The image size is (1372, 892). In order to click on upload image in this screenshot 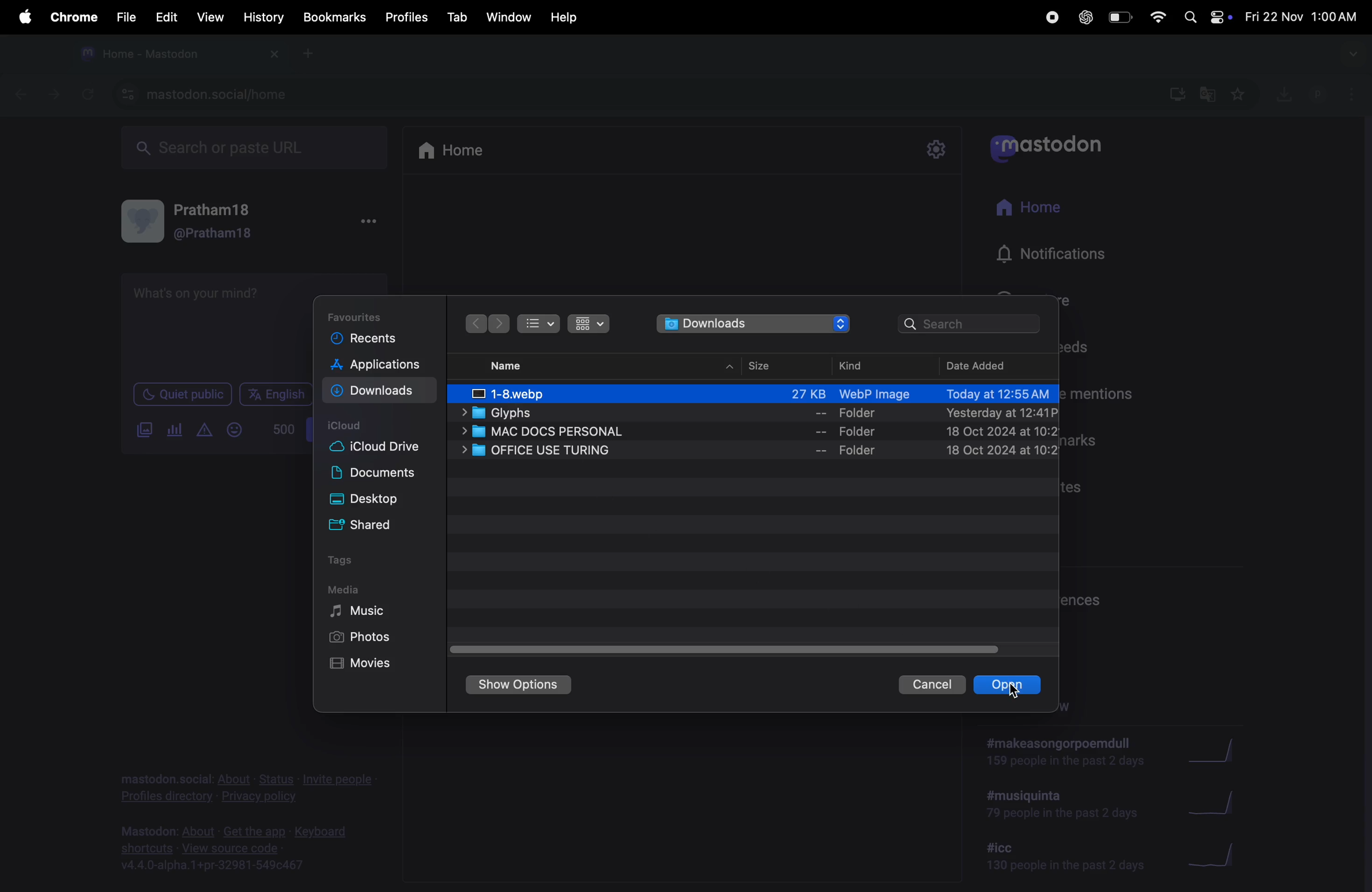, I will do `click(146, 430)`.